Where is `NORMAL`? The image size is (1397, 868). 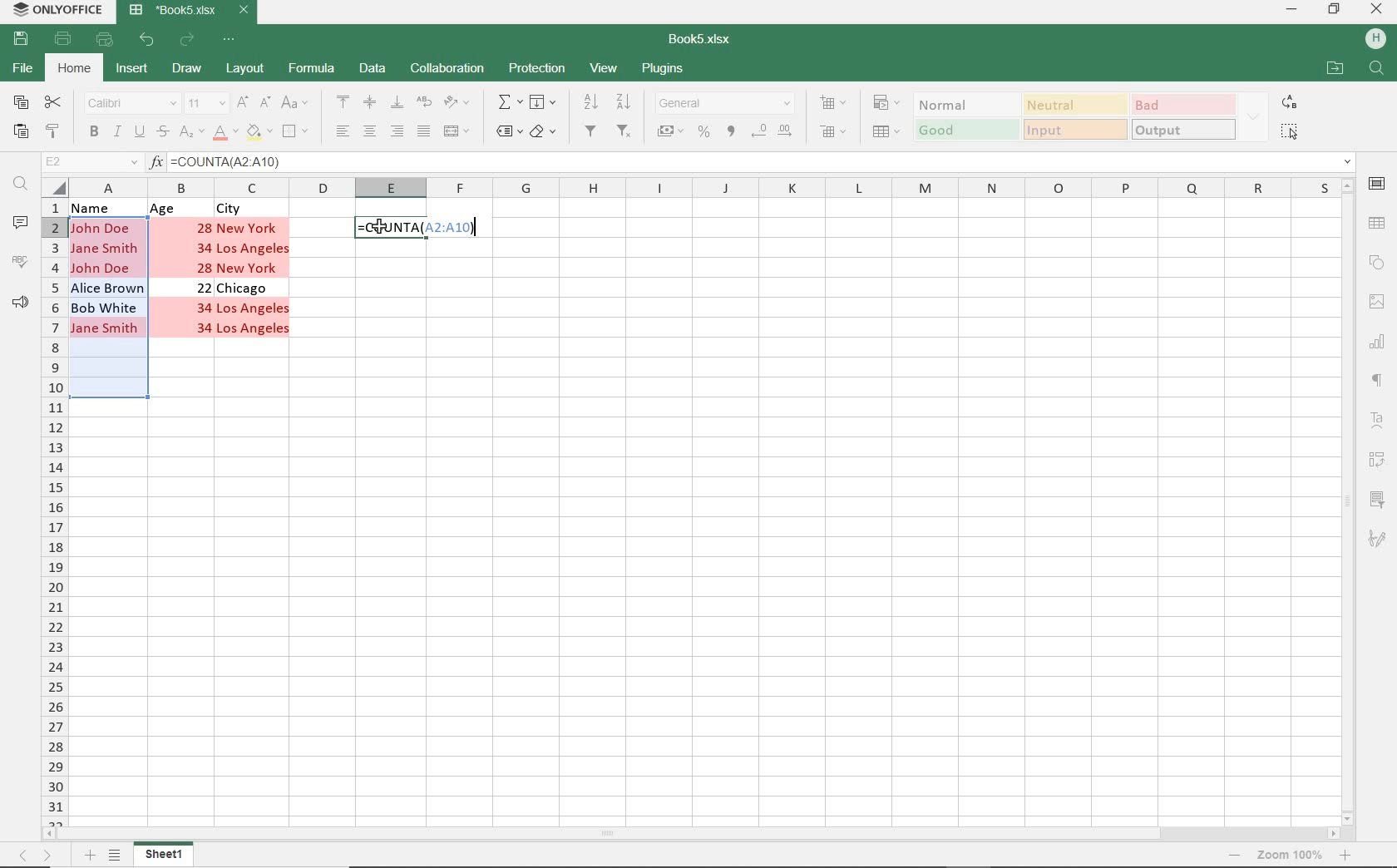 NORMAL is located at coordinates (962, 104).